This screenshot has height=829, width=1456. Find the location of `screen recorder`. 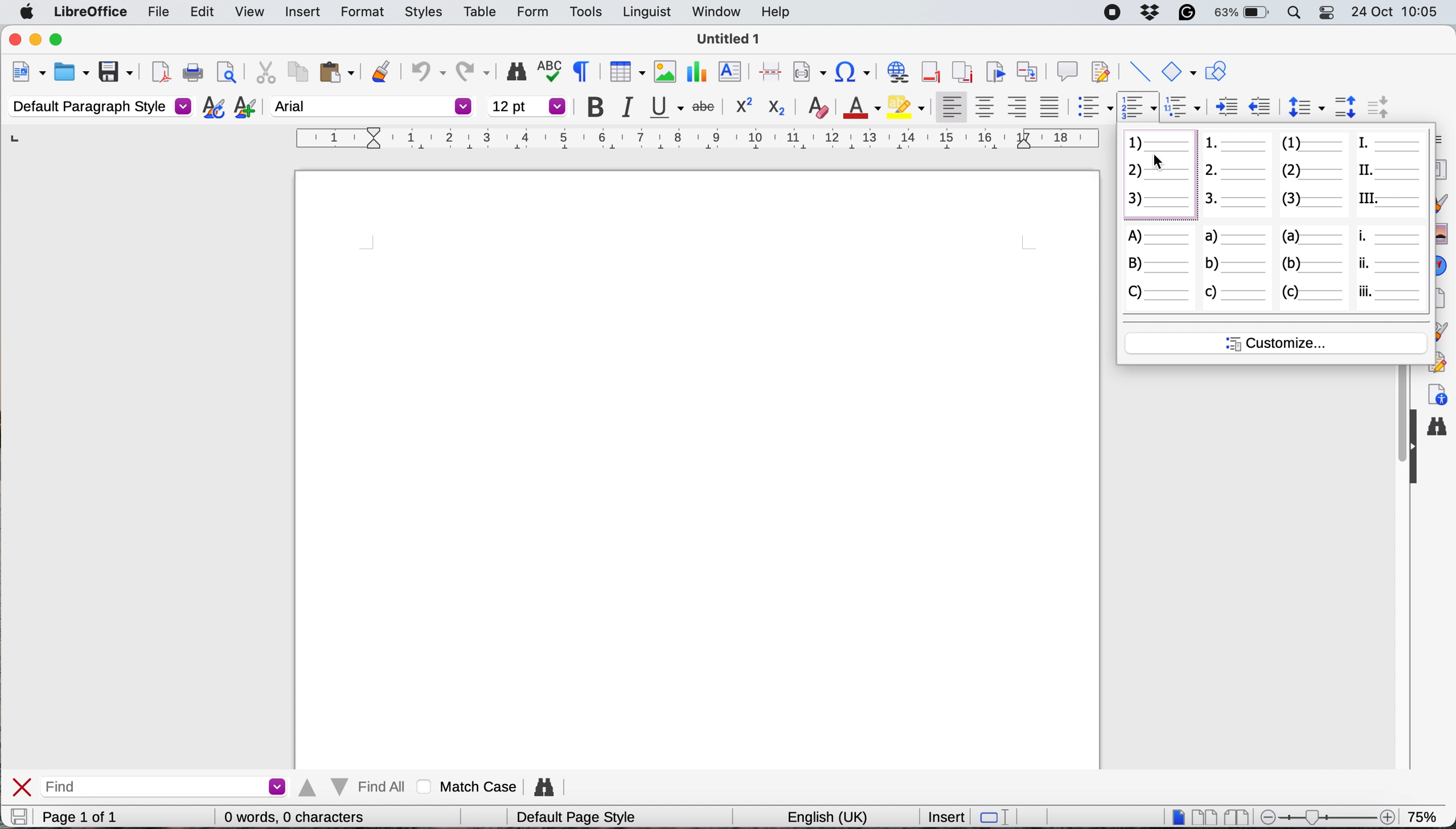

screen recorder is located at coordinates (1114, 13).